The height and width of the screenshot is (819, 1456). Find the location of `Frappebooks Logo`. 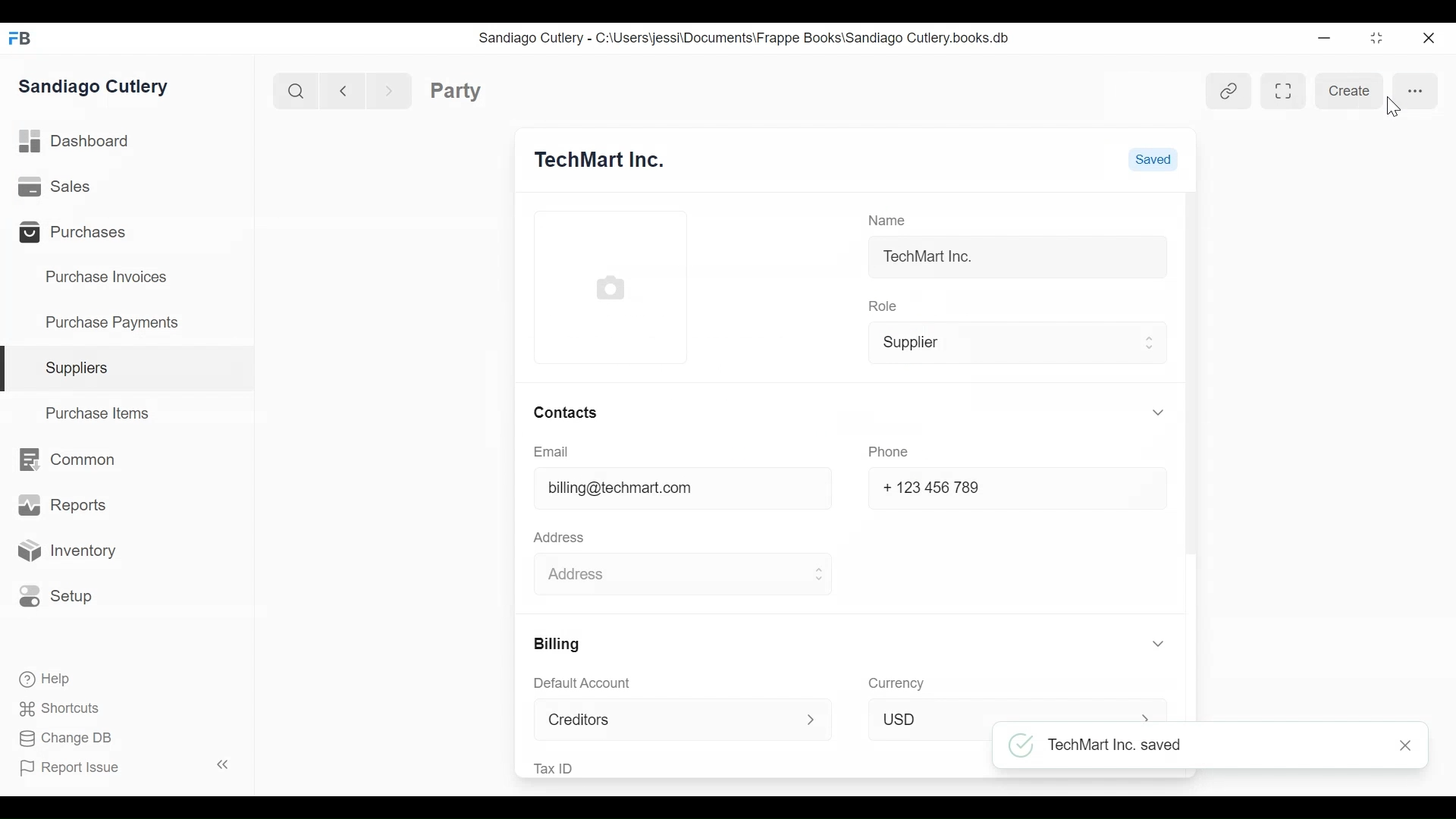

Frappebooks Logo is located at coordinates (22, 39).